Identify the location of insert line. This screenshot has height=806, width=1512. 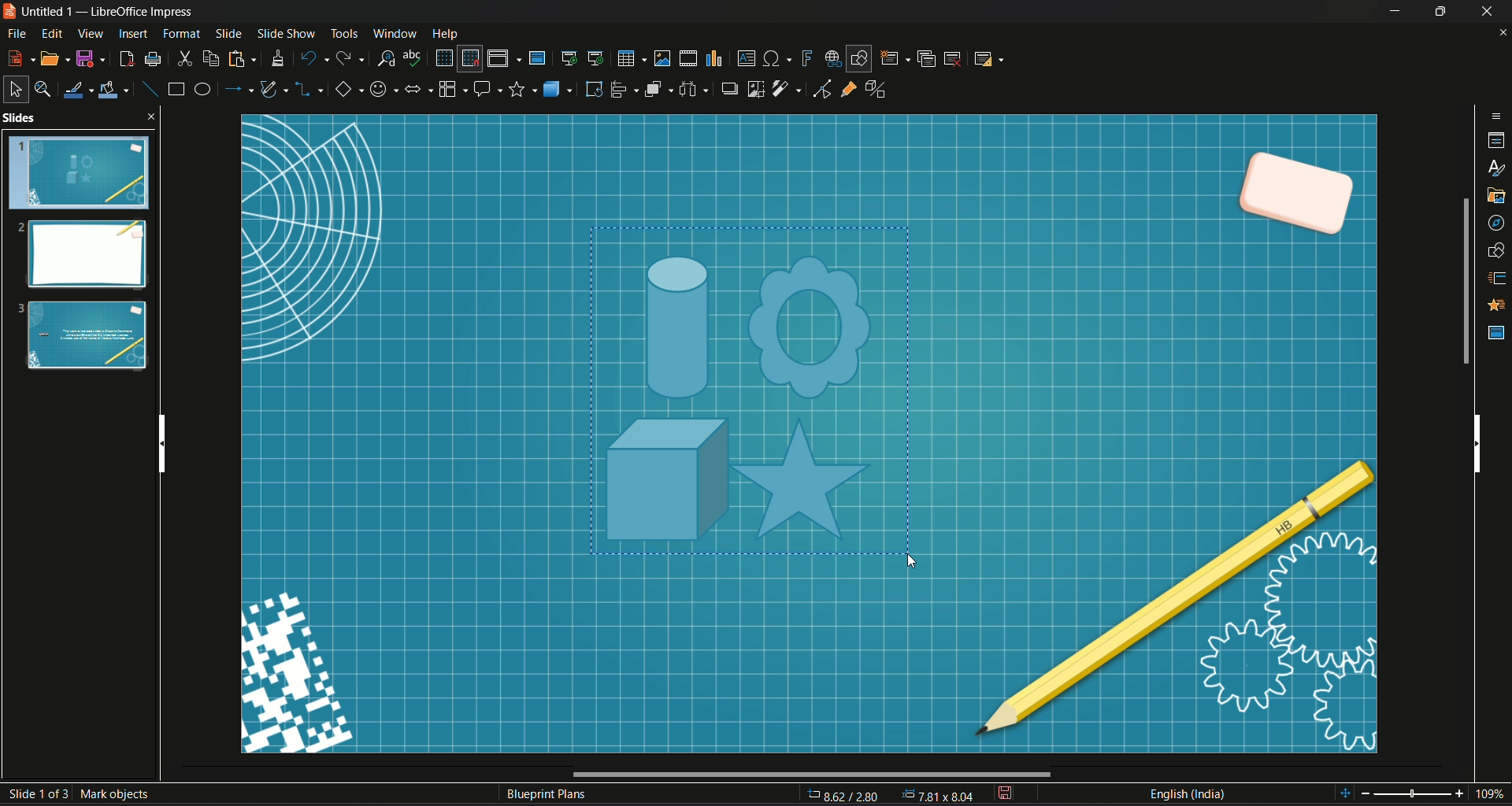
(149, 89).